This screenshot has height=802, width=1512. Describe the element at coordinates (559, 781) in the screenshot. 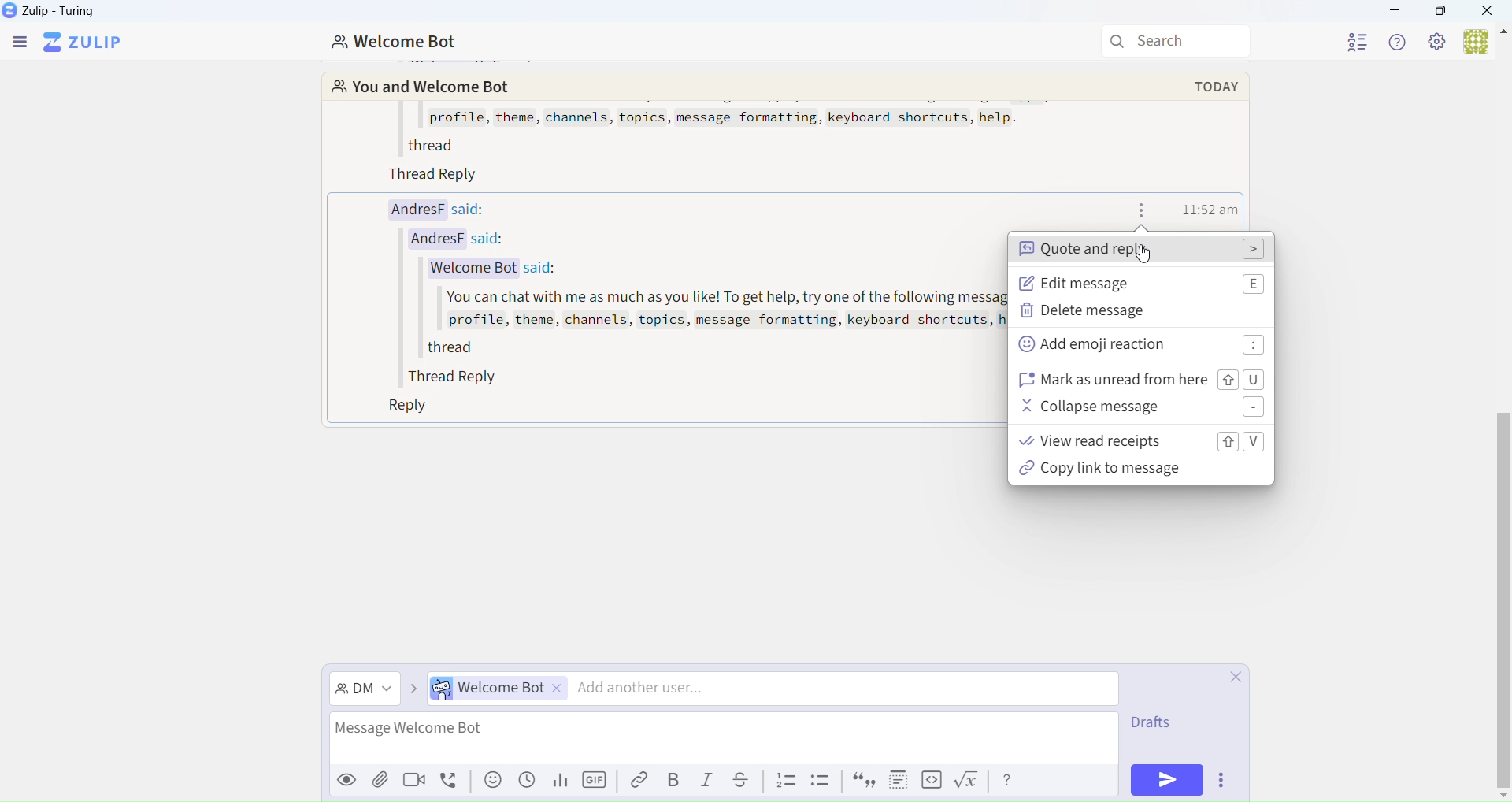

I see `Stats` at that location.